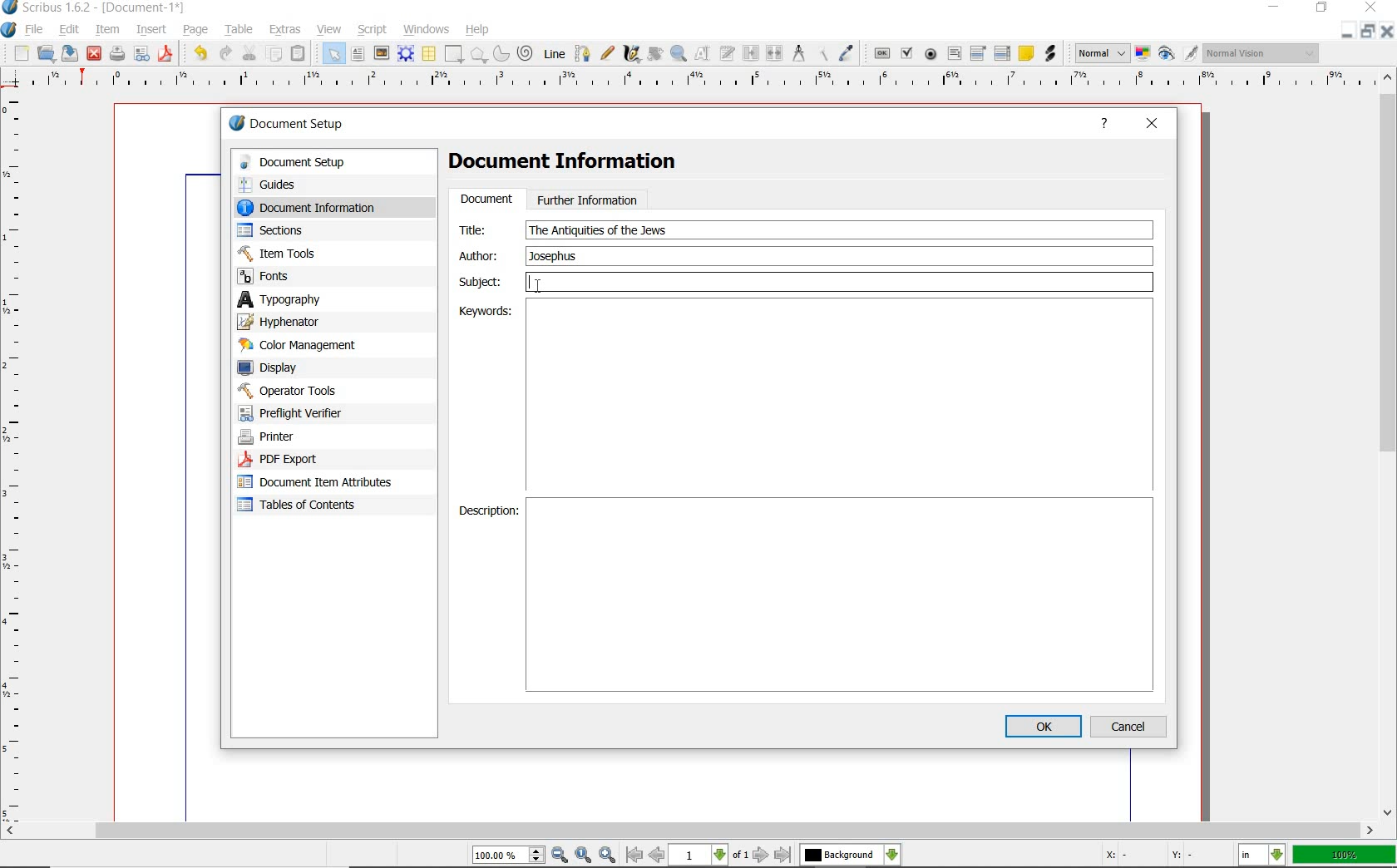 This screenshot has height=868, width=1397. I want to click on calligraphic line, so click(632, 55).